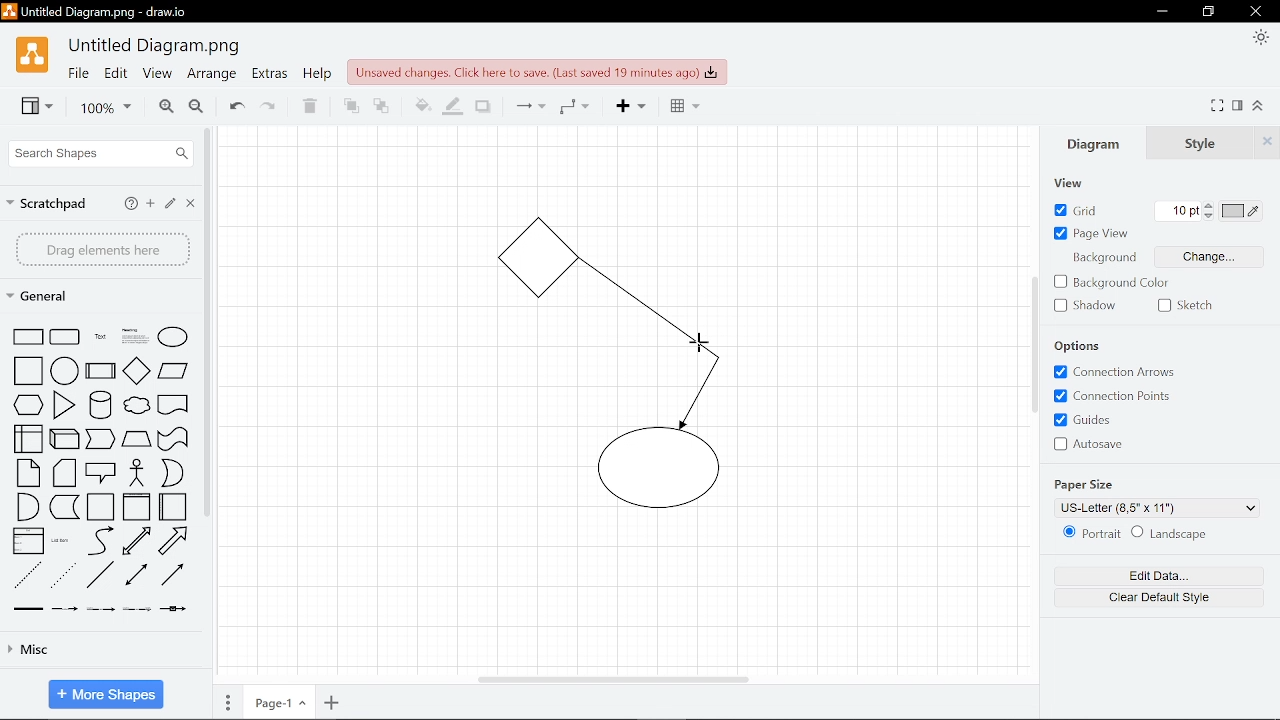 Image resolution: width=1280 pixels, height=720 pixels. I want to click on shape, so click(174, 507).